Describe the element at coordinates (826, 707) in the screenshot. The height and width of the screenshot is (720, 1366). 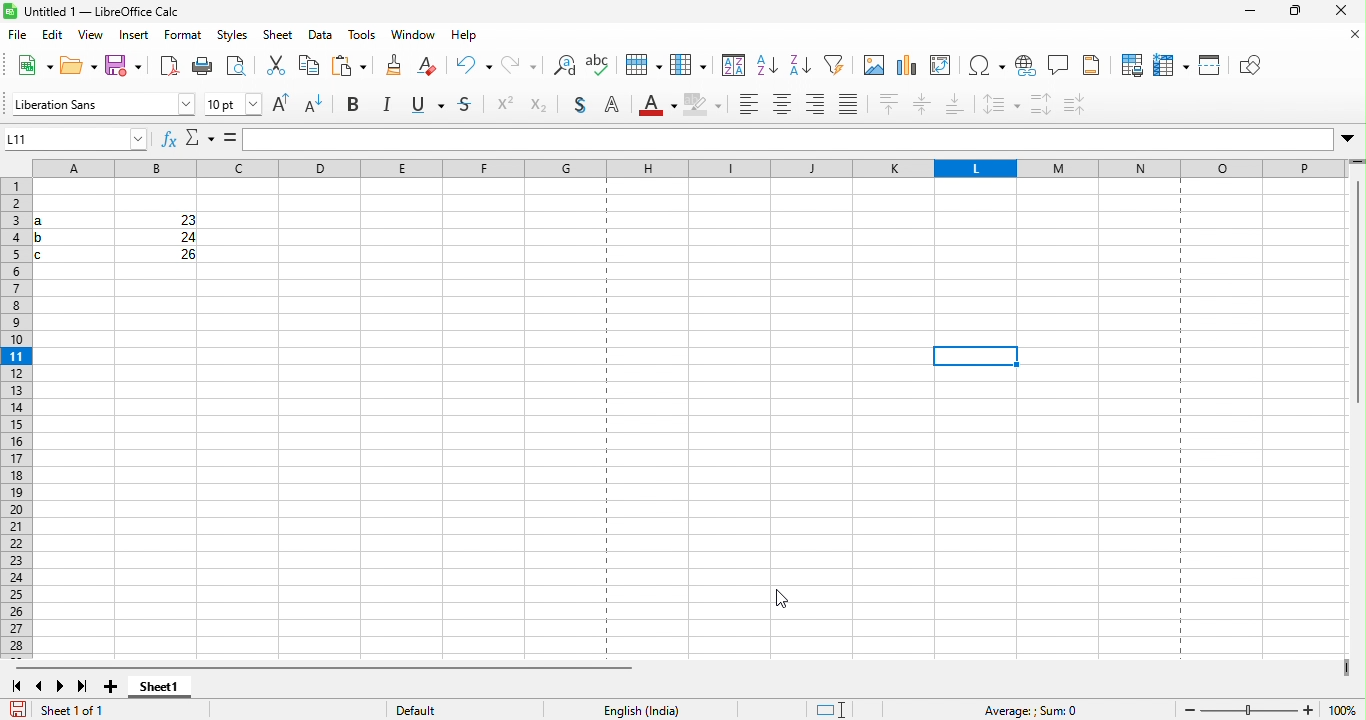
I see `standard selection` at that location.